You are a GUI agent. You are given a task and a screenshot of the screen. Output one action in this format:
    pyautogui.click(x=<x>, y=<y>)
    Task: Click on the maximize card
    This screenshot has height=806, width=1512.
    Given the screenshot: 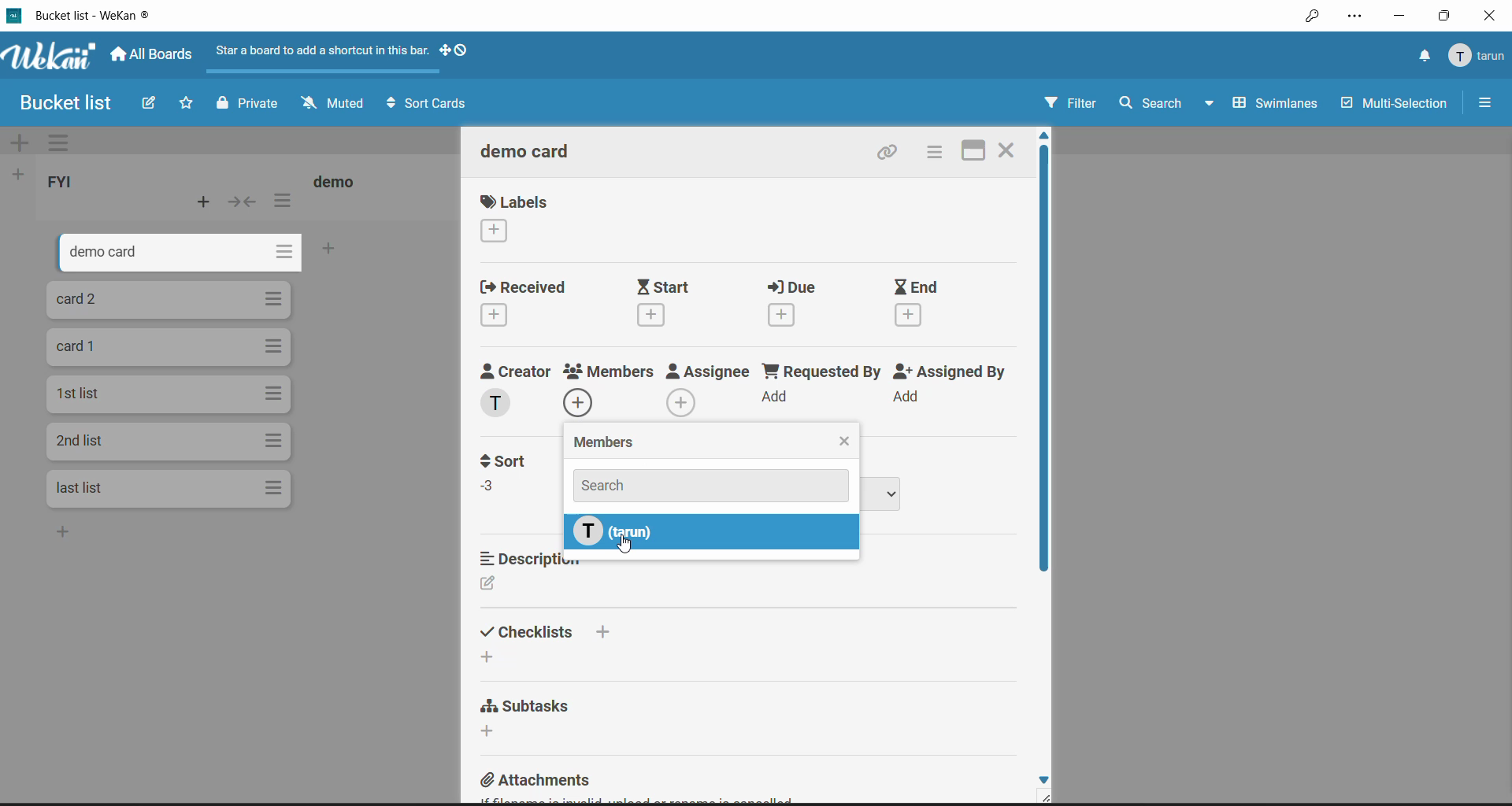 What is the action you would take?
    pyautogui.click(x=974, y=153)
    